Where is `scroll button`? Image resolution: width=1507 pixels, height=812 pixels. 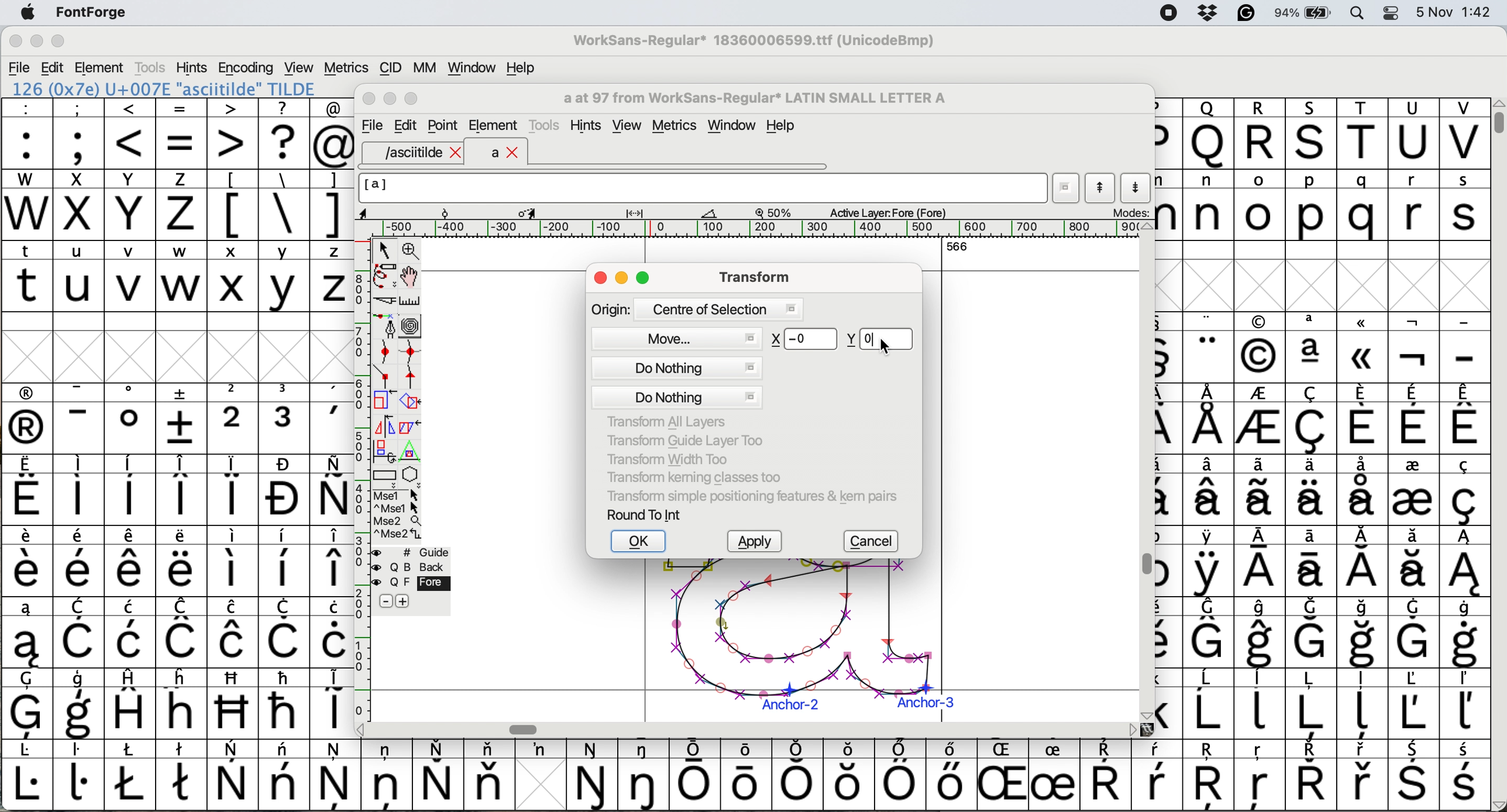
scroll button is located at coordinates (362, 728).